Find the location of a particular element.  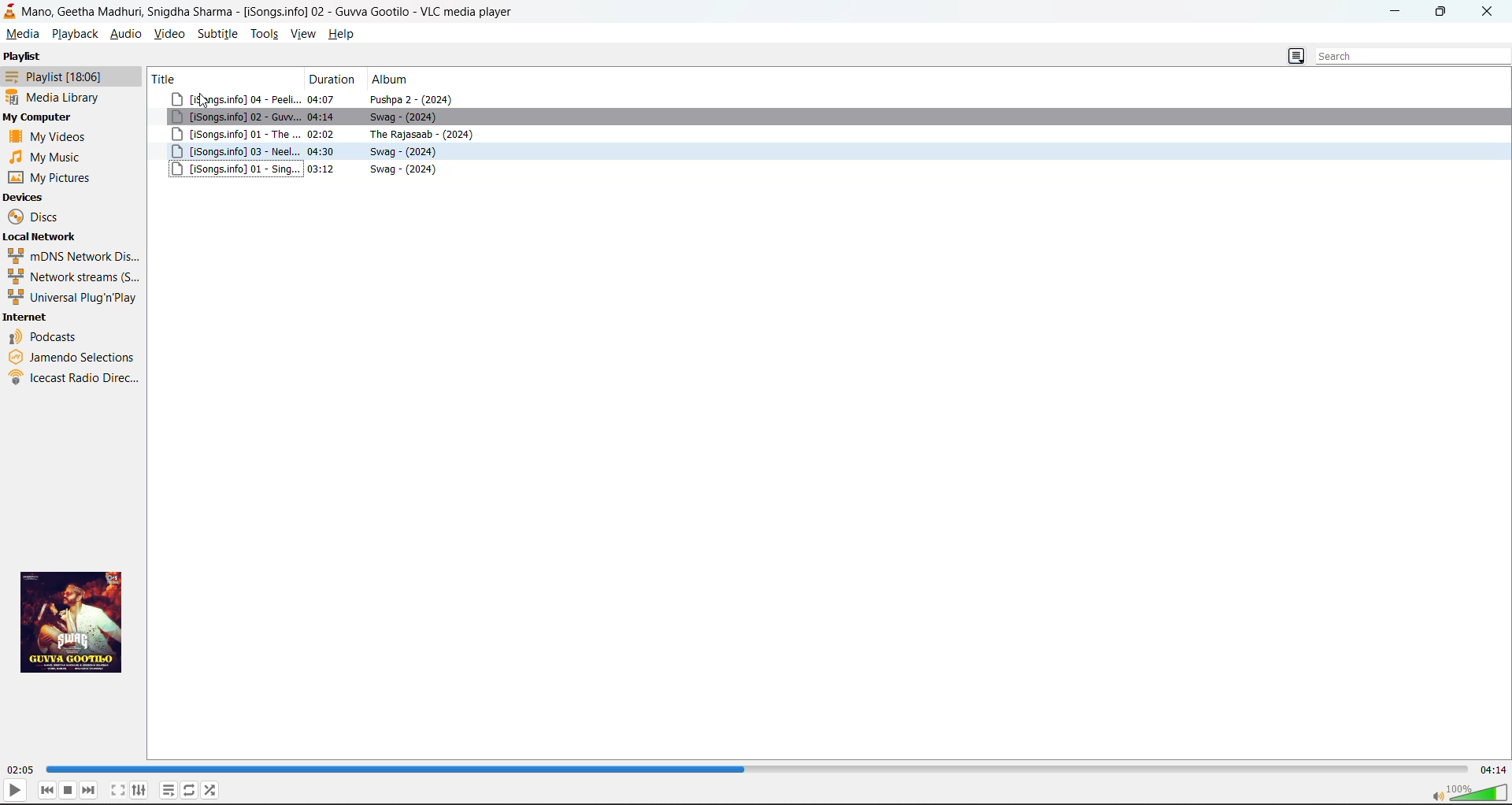

title is located at coordinates (221, 78).